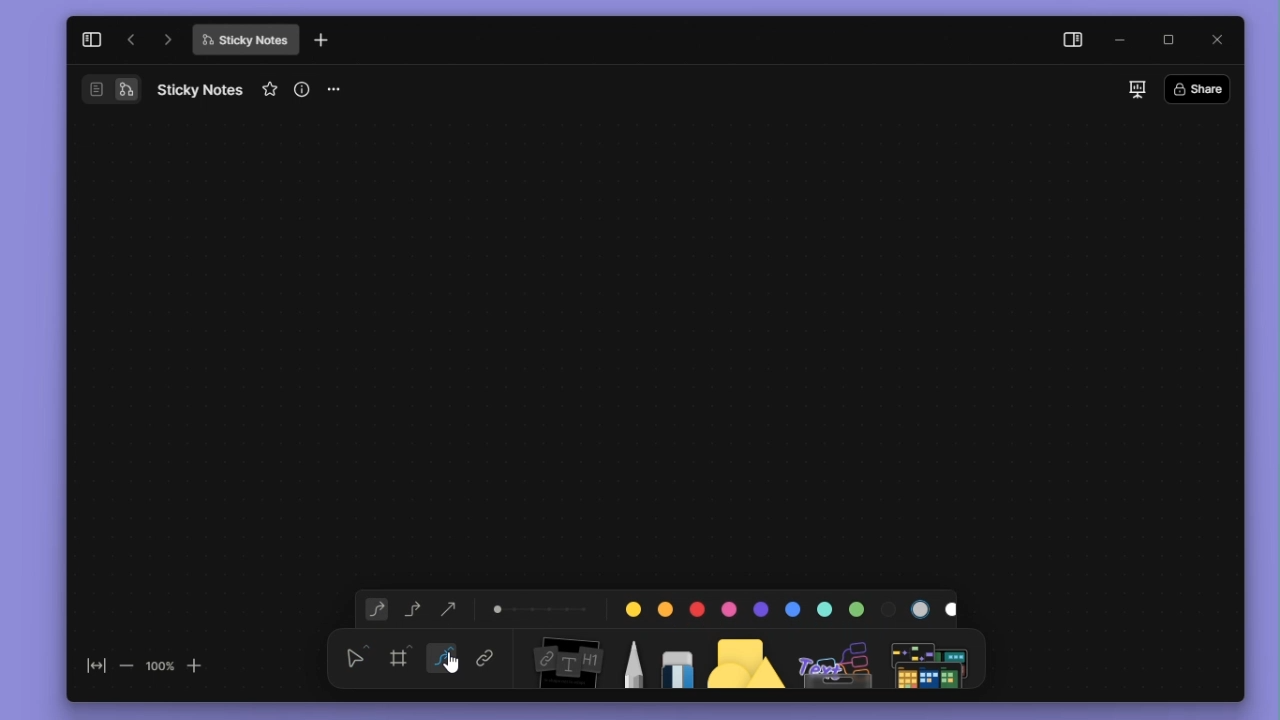 This screenshot has width=1280, height=720. What do you see at coordinates (304, 89) in the screenshot?
I see `view info` at bounding box center [304, 89].